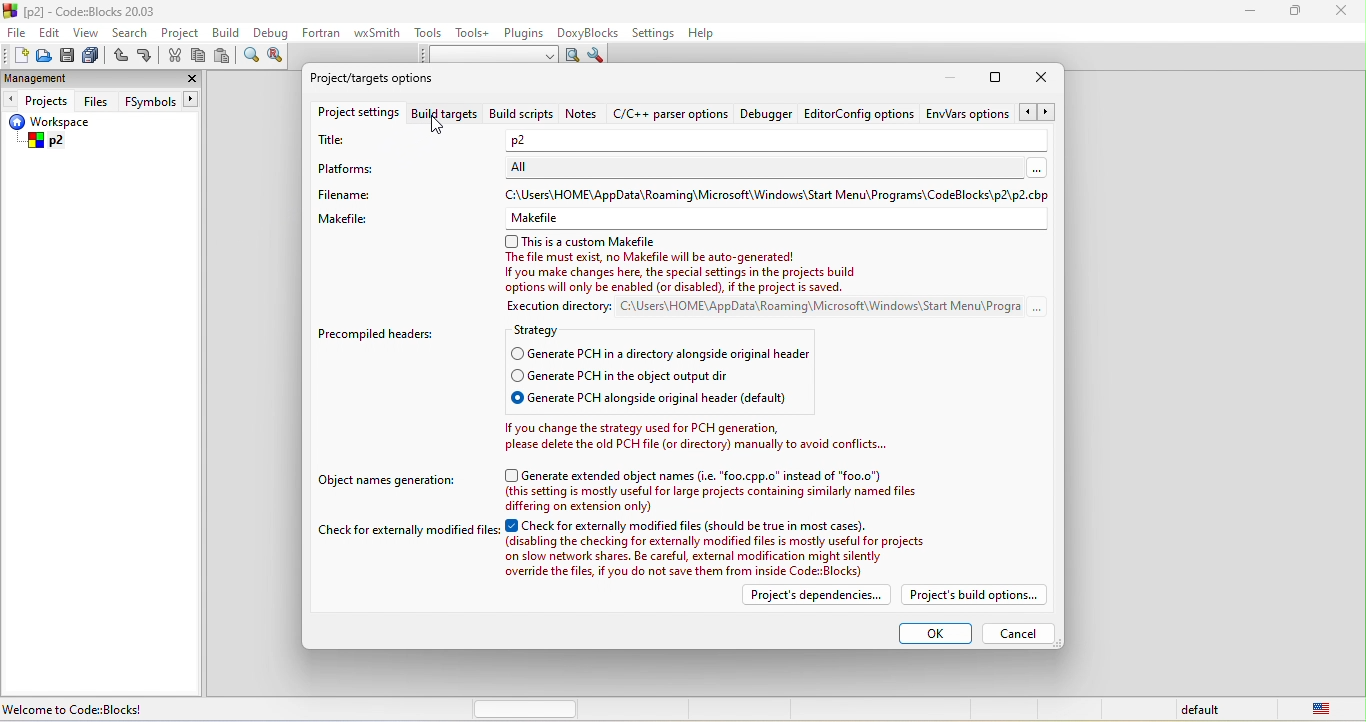 This screenshot has height=722, width=1366. What do you see at coordinates (526, 709) in the screenshot?
I see `horizontal scroll bar` at bounding box center [526, 709].